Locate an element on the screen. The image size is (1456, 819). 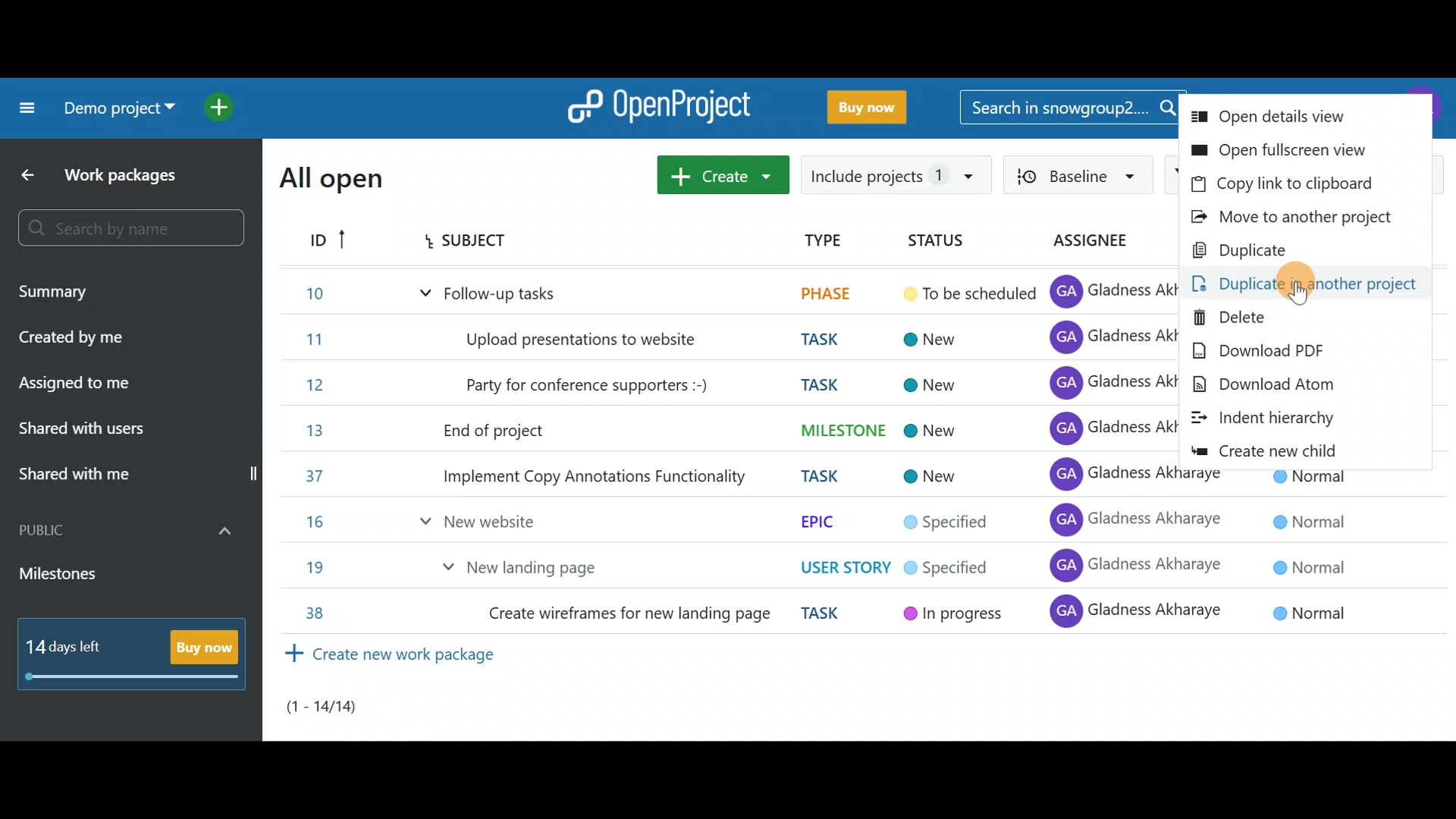
Duplicate is located at coordinates (1311, 252).